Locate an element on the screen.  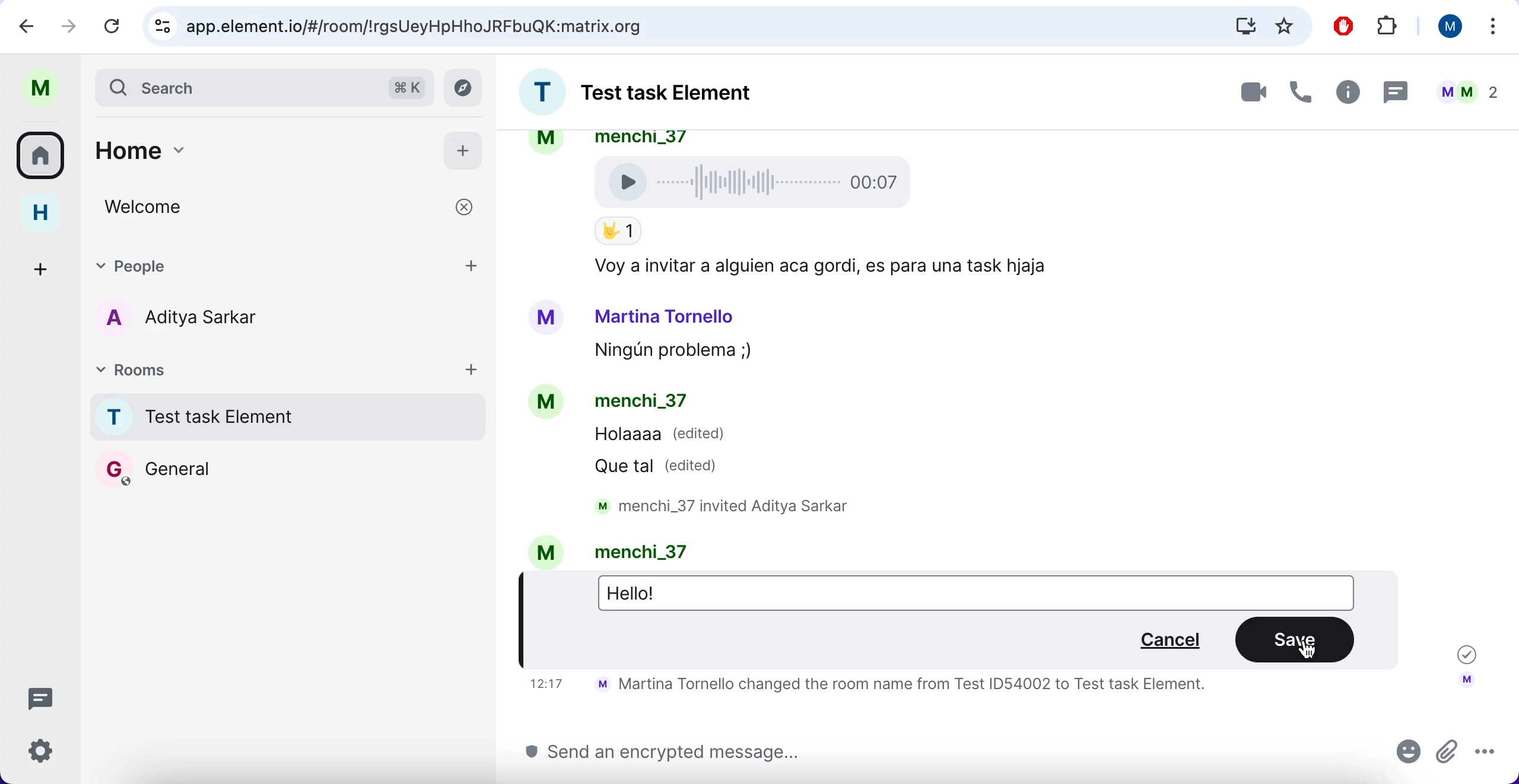
attachments is located at coordinates (1447, 758).